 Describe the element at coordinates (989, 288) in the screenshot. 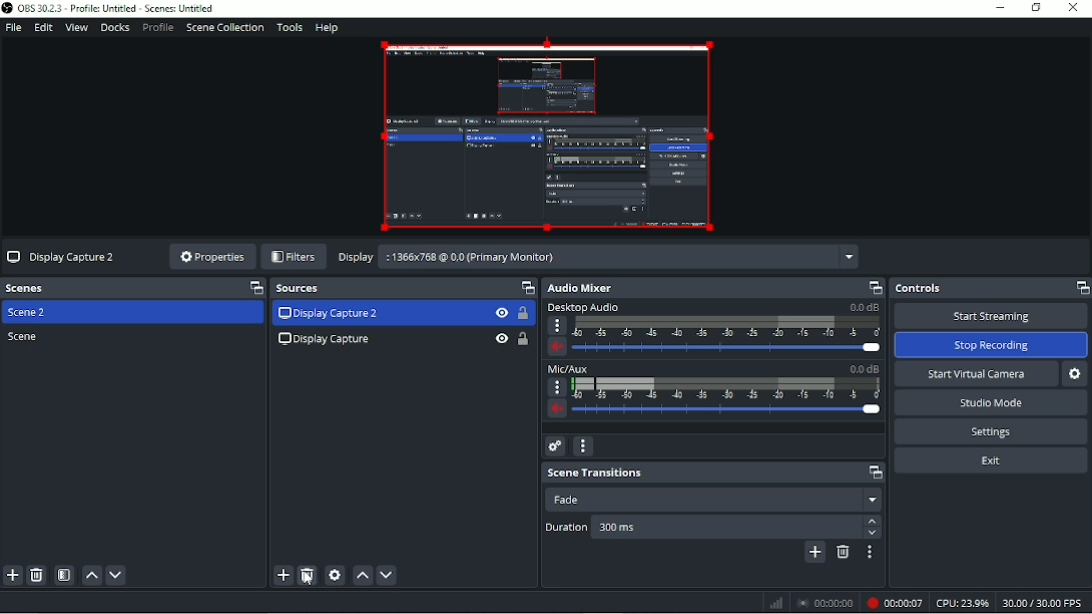

I see `Controls` at that location.